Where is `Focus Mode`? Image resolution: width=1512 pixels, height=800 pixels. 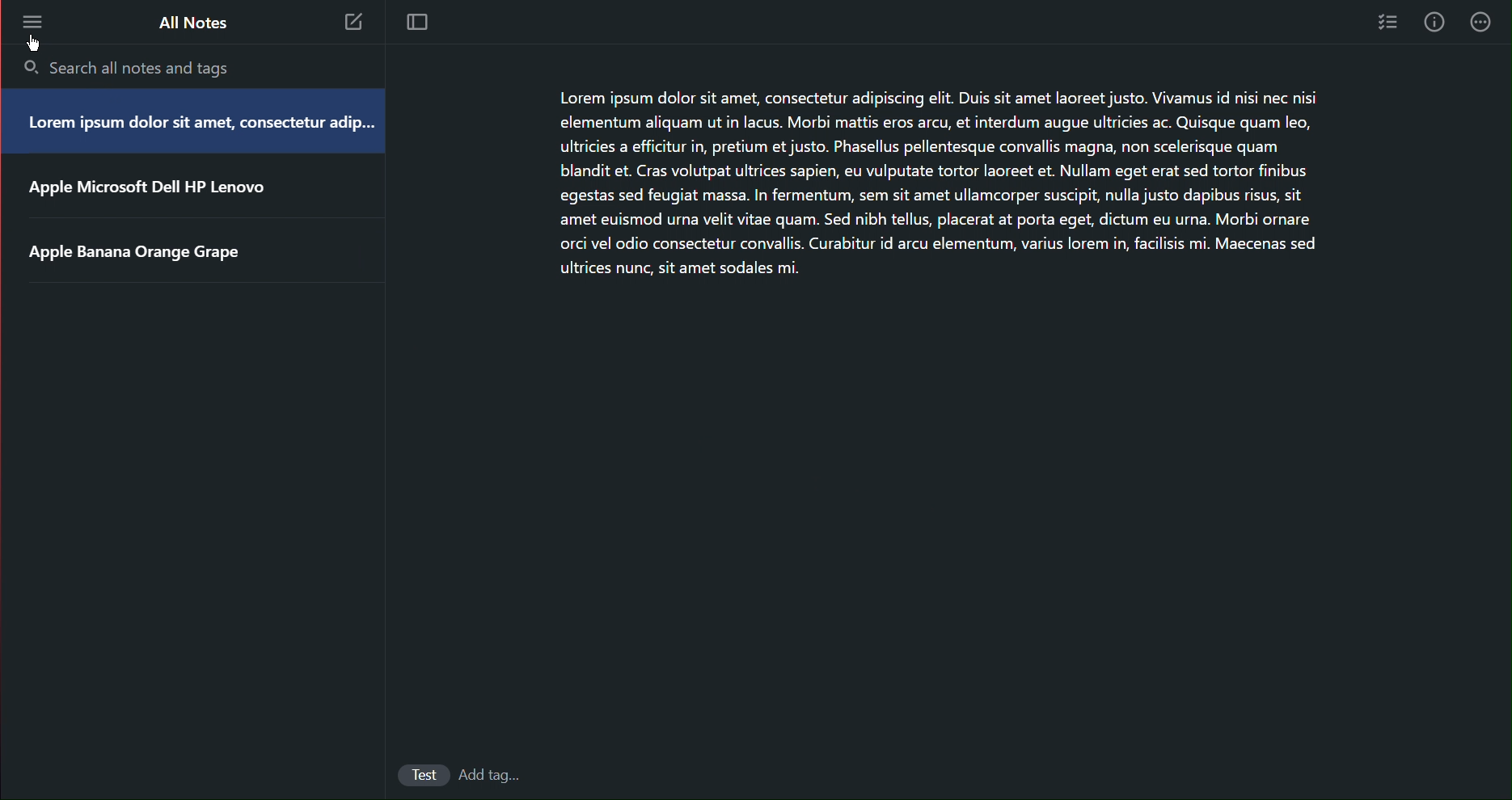
Focus Mode is located at coordinates (420, 24).